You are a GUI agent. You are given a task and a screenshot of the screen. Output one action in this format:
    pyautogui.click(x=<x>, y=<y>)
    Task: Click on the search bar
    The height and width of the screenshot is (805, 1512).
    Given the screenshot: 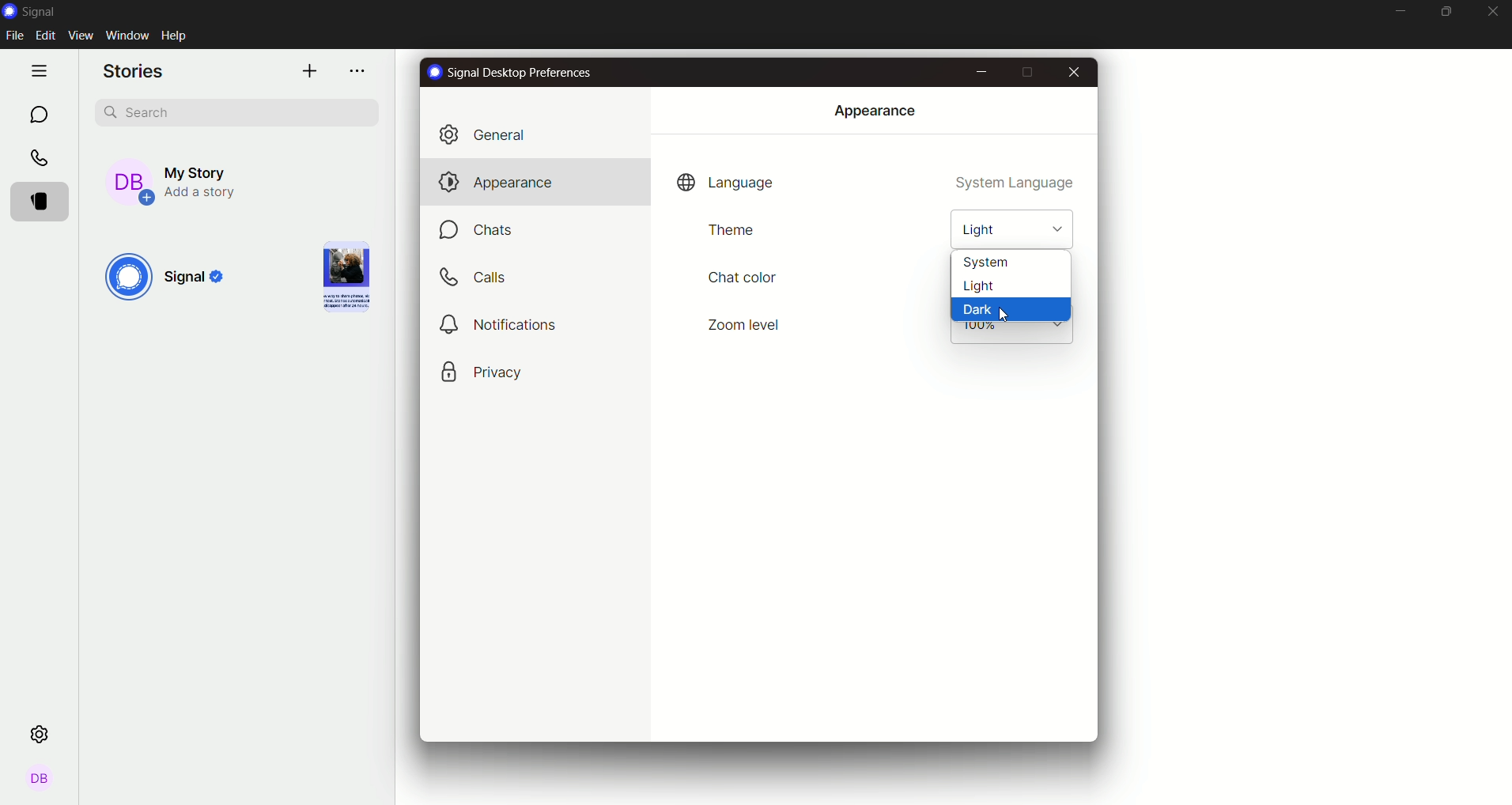 What is the action you would take?
    pyautogui.click(x=239, y=111)
    